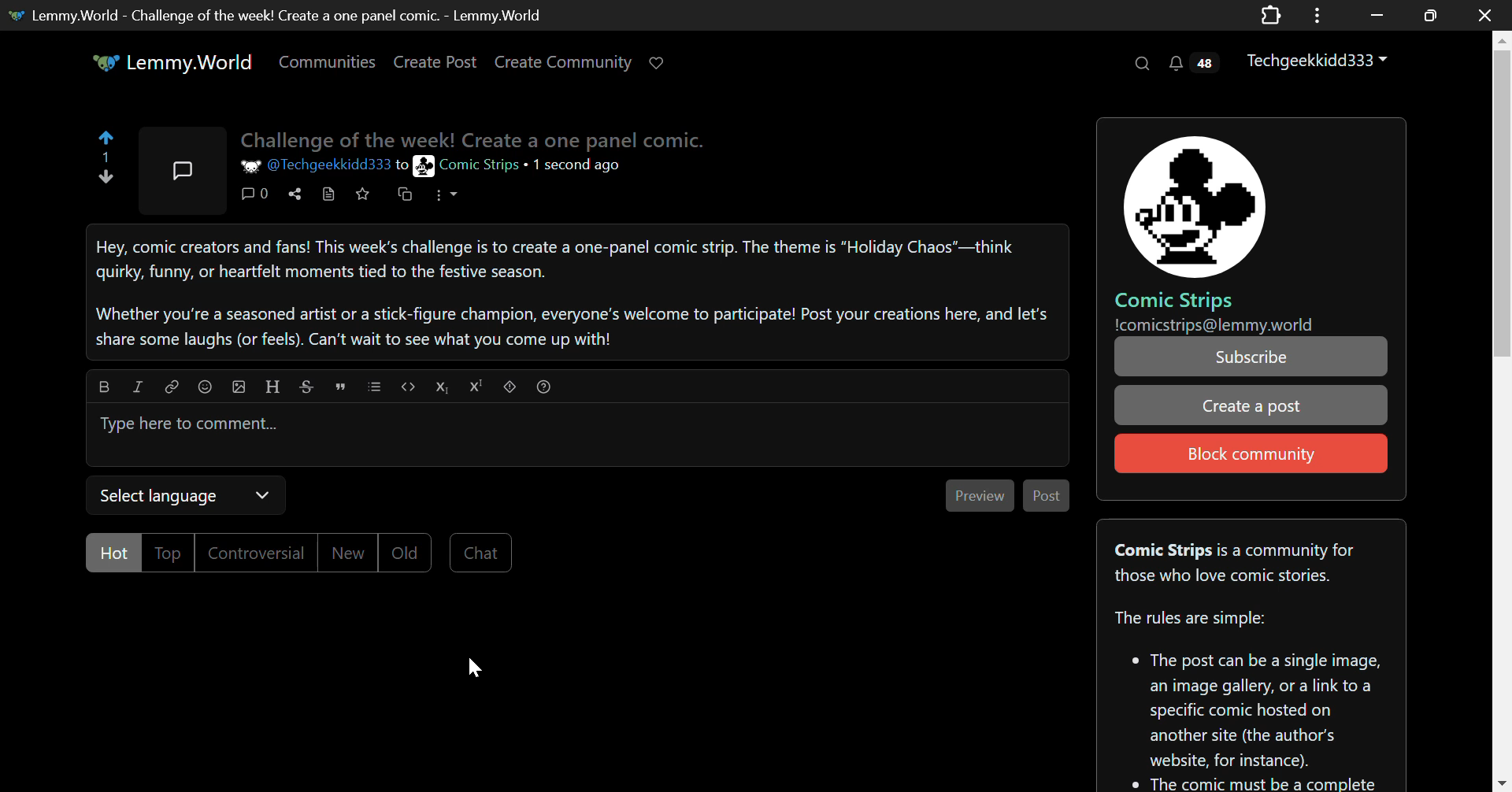 This screenshot has width=1512, height=792. I want to click on quote, so click(343, 386).